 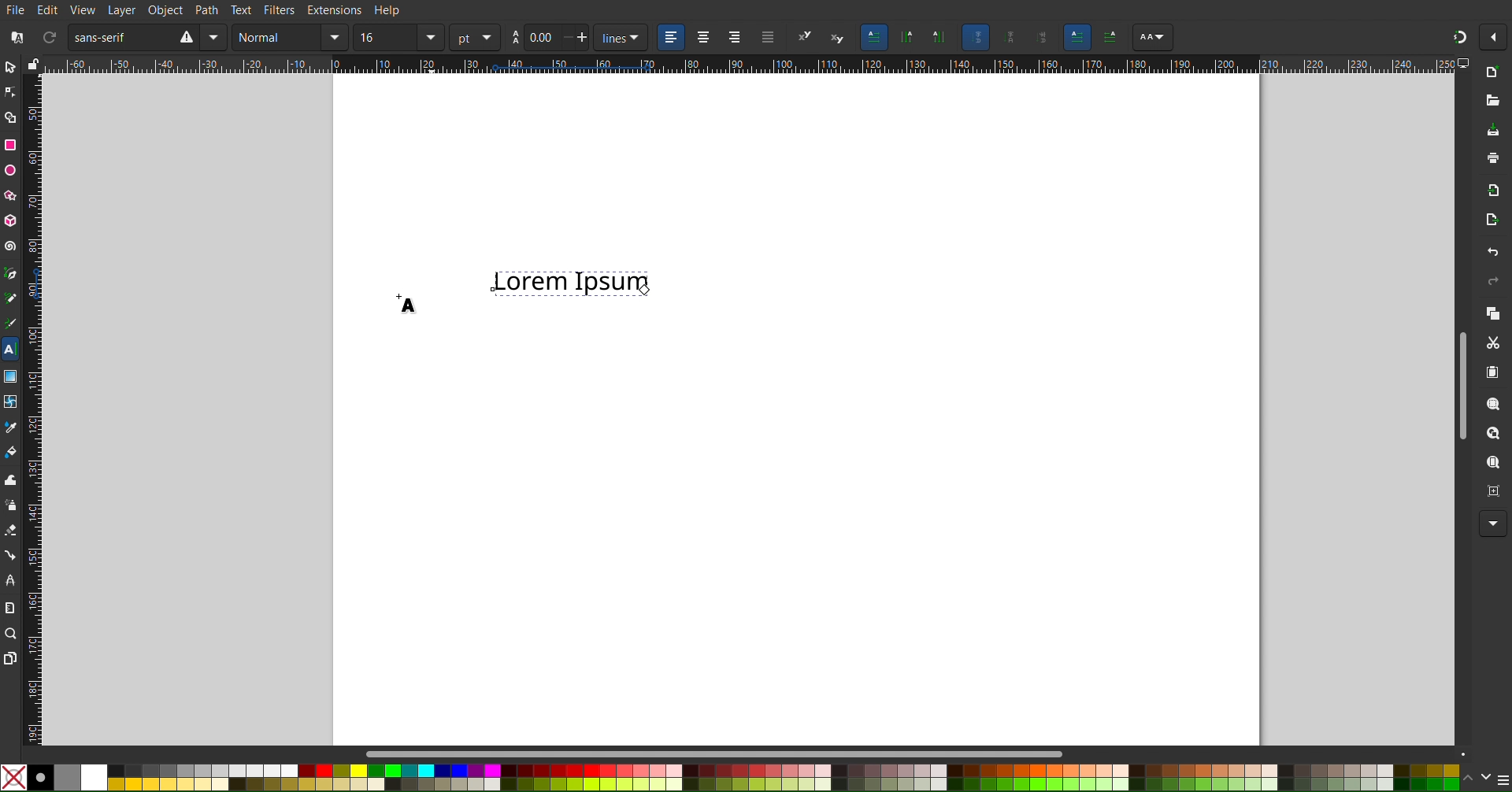 What do you see at coordinates (1477, 779) in the screenshot?
I see `scroll color options` at bounding box center [1477, 779].